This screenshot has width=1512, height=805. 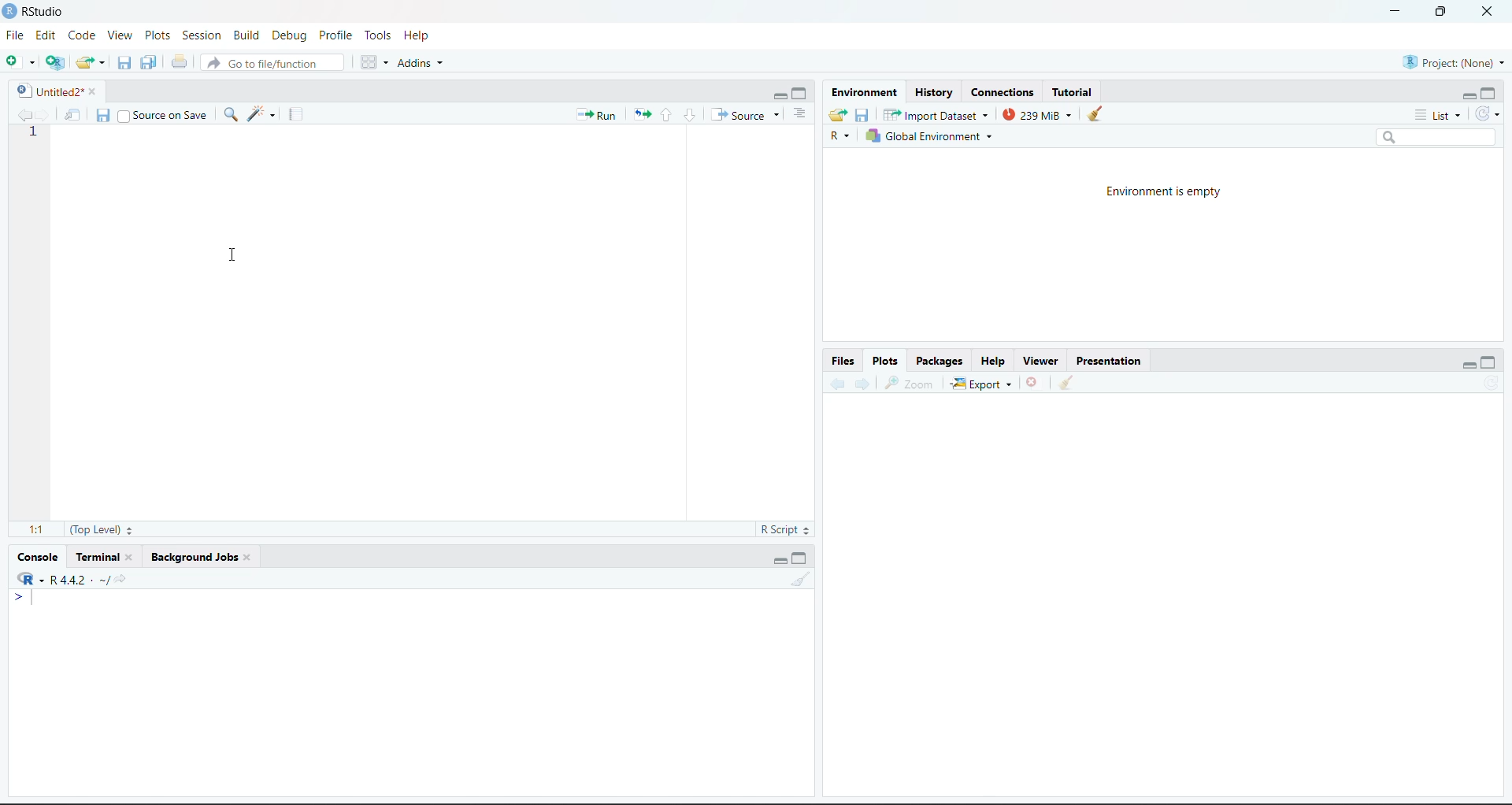 What do you see at coordinates (20, 61) in the screenshot?
I see `New File` at bounding box center [20, 61].